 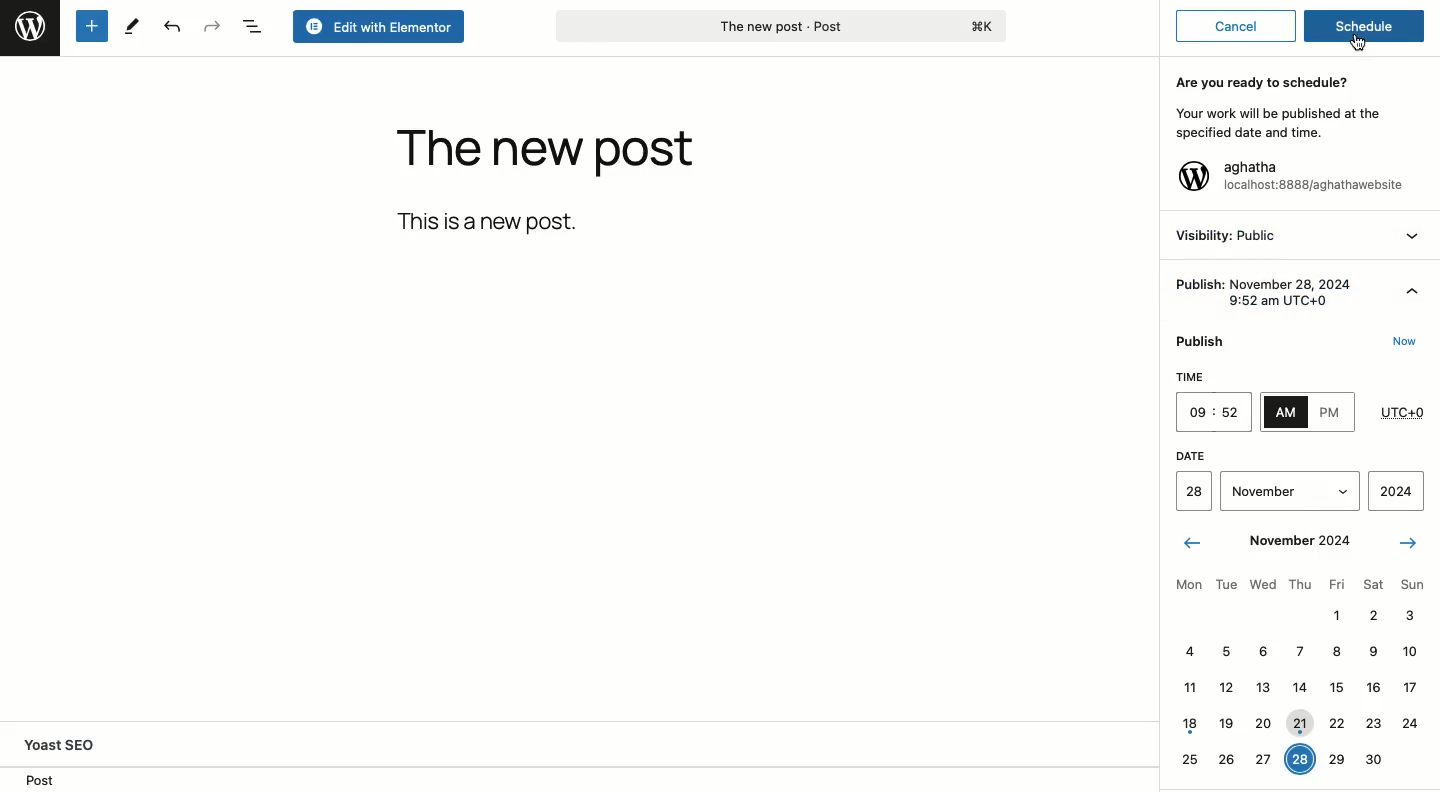 What do you see at coordinates (1371, 650) in the screenshot?
I see `` at bounding box center [1371, 650].